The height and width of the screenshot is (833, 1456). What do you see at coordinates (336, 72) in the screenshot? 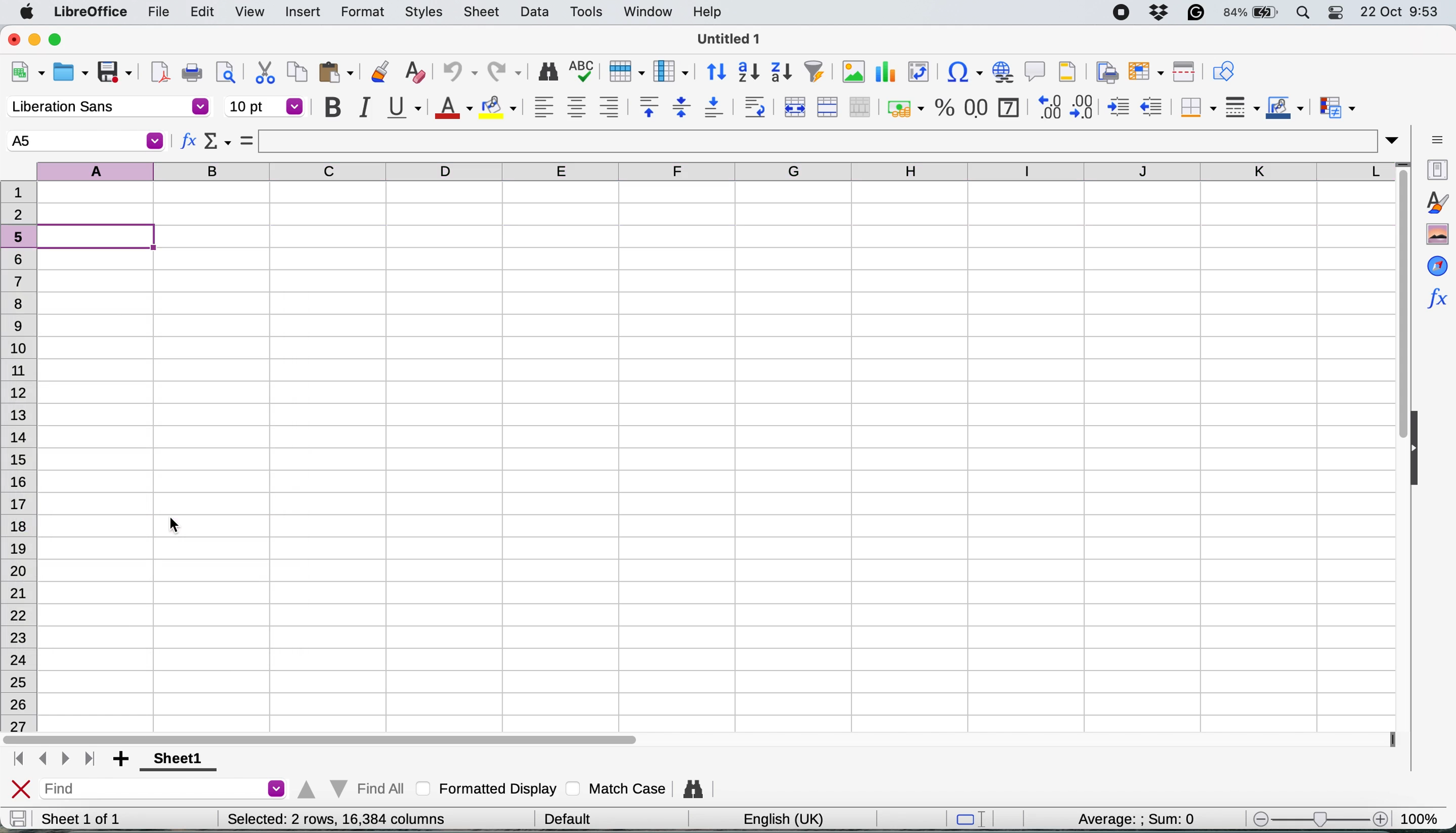
I see `paste` at bounding box center [336, 72].